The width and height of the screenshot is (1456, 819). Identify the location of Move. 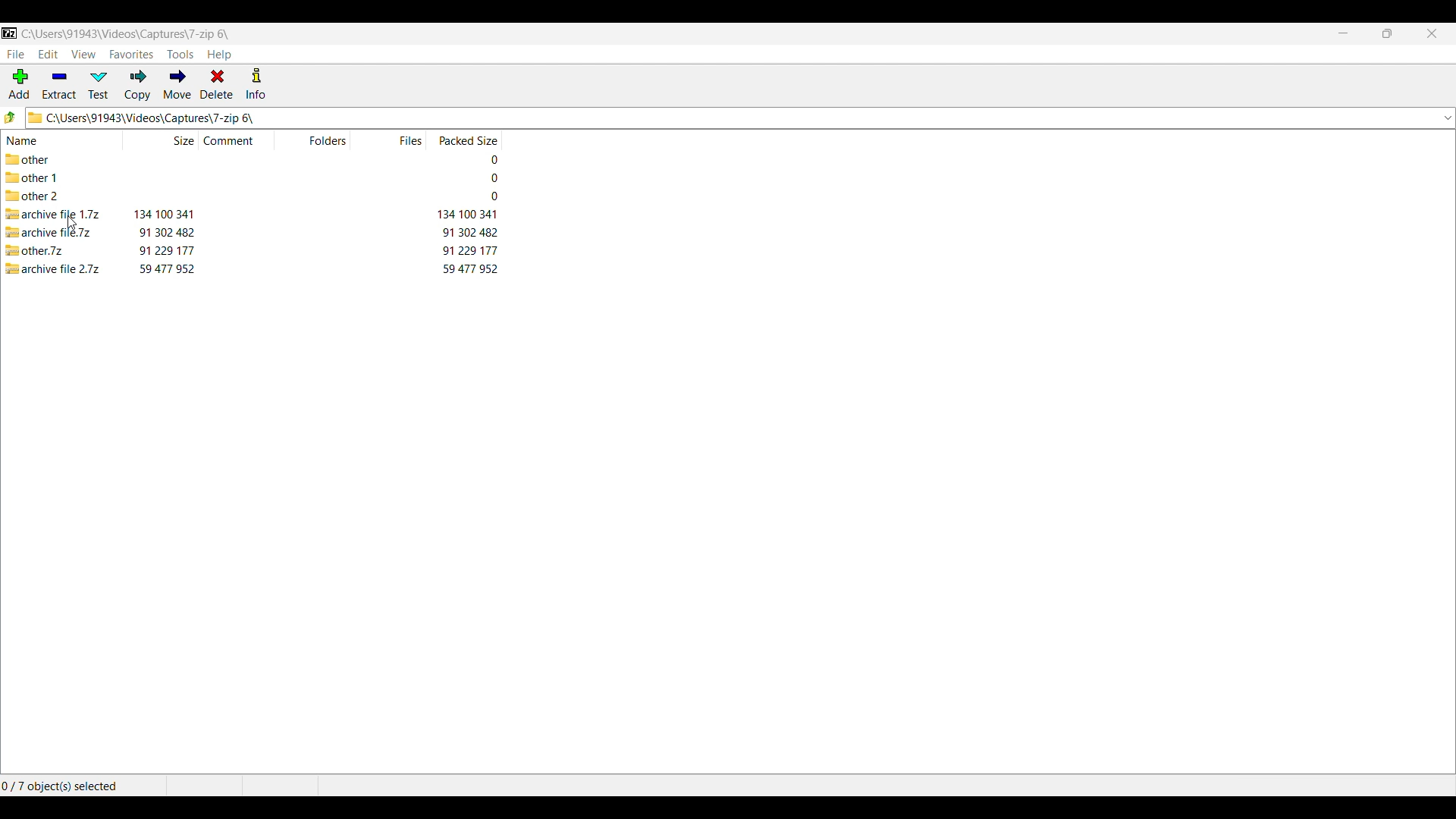
(177, 84).